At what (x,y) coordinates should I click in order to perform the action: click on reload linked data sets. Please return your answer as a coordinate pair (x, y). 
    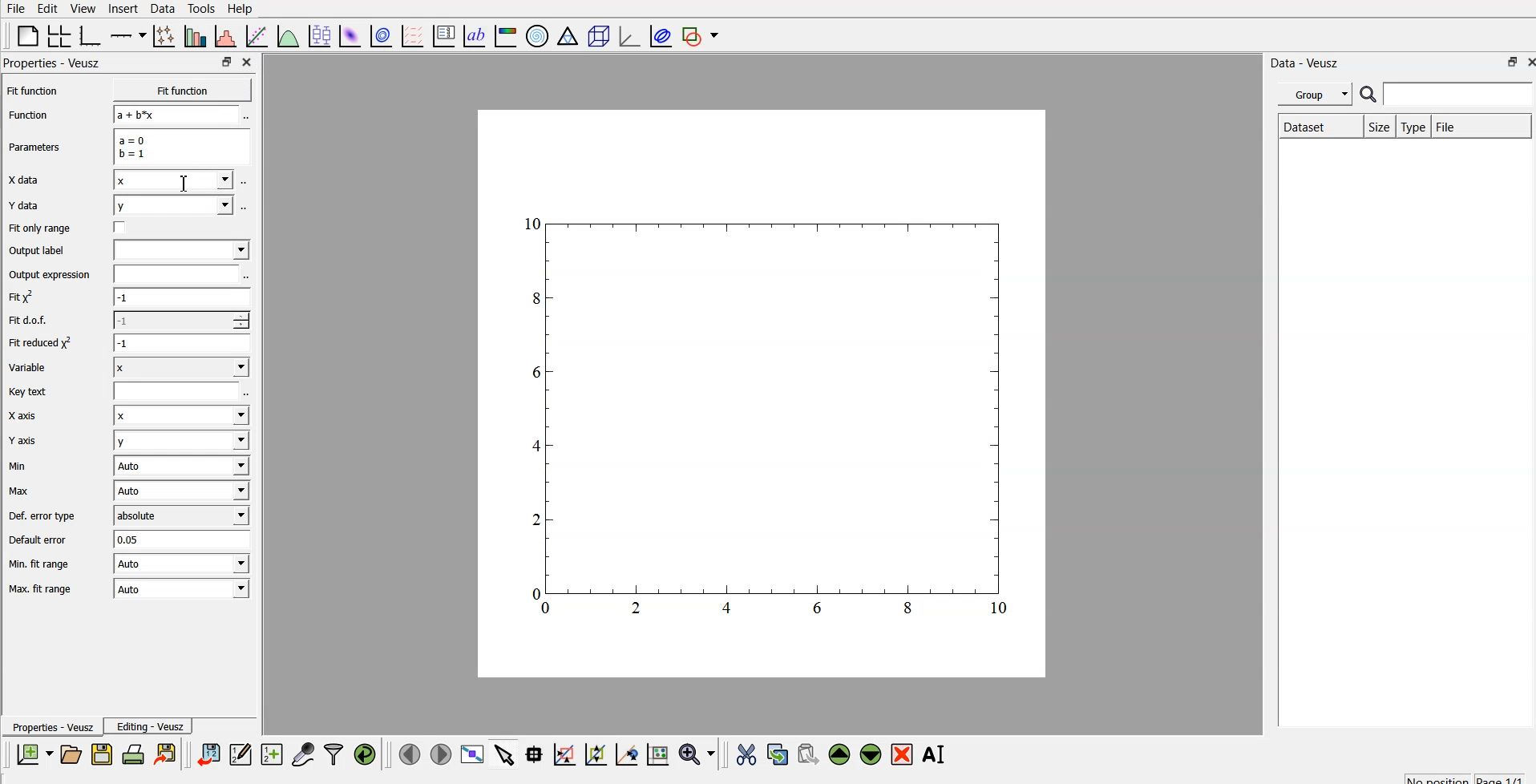
    Looking at the image, I should click on (367, 755).